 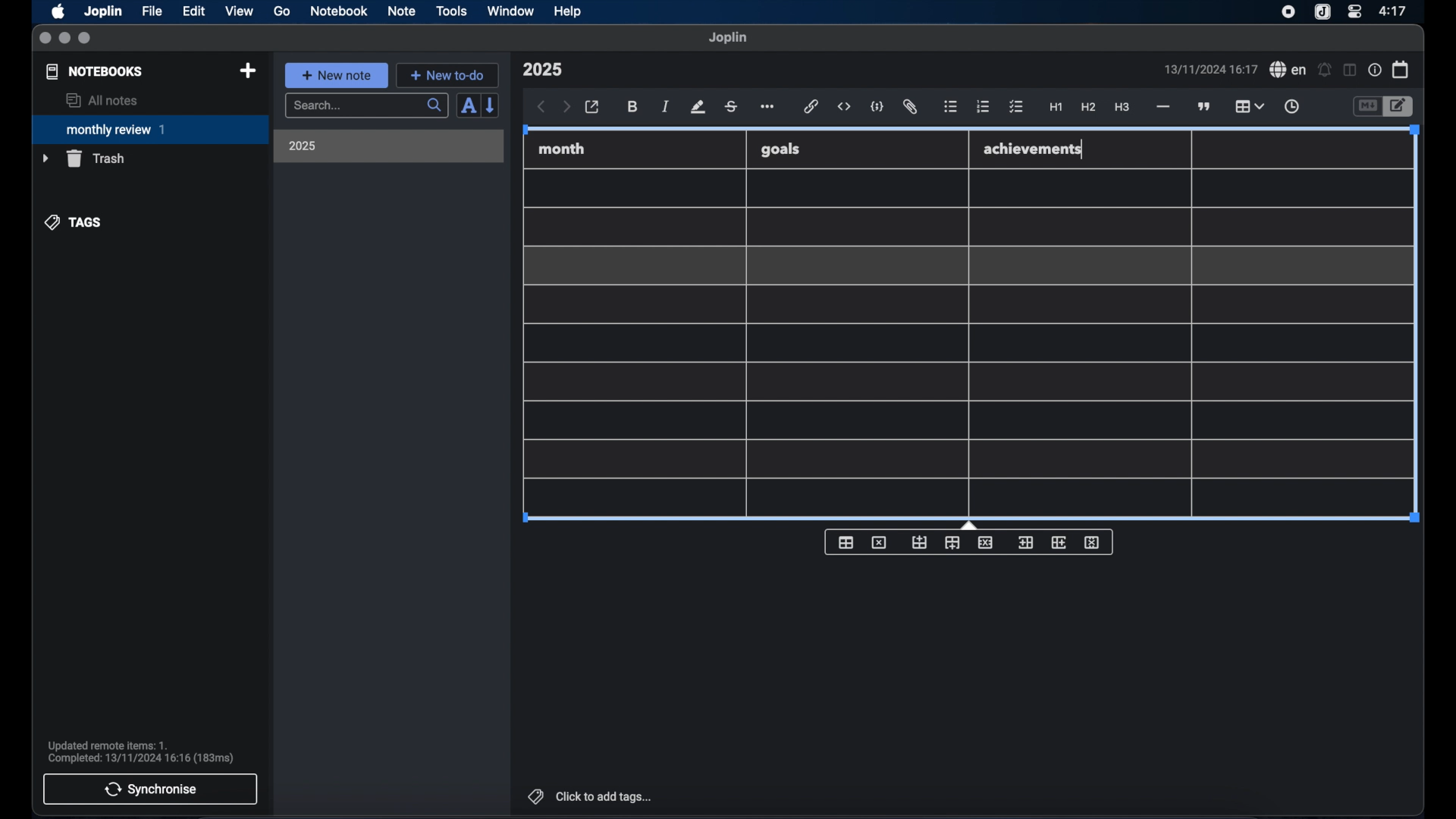 What do you see at coordinates (1375, 71) in the screenshot?
I see `note properties` at bounding box center [1375, 71].